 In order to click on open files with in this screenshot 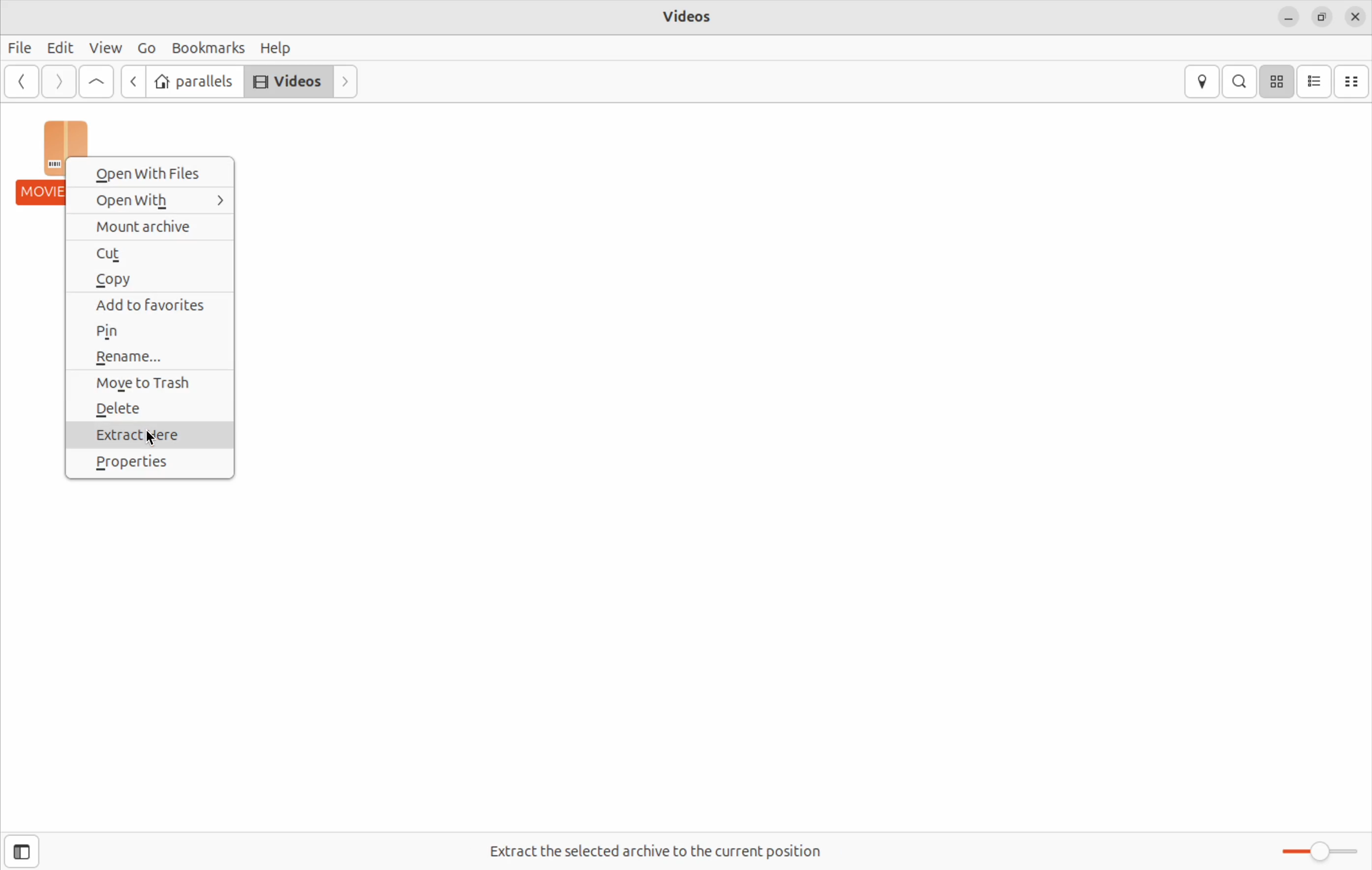, I will do `click(156, 171)`.